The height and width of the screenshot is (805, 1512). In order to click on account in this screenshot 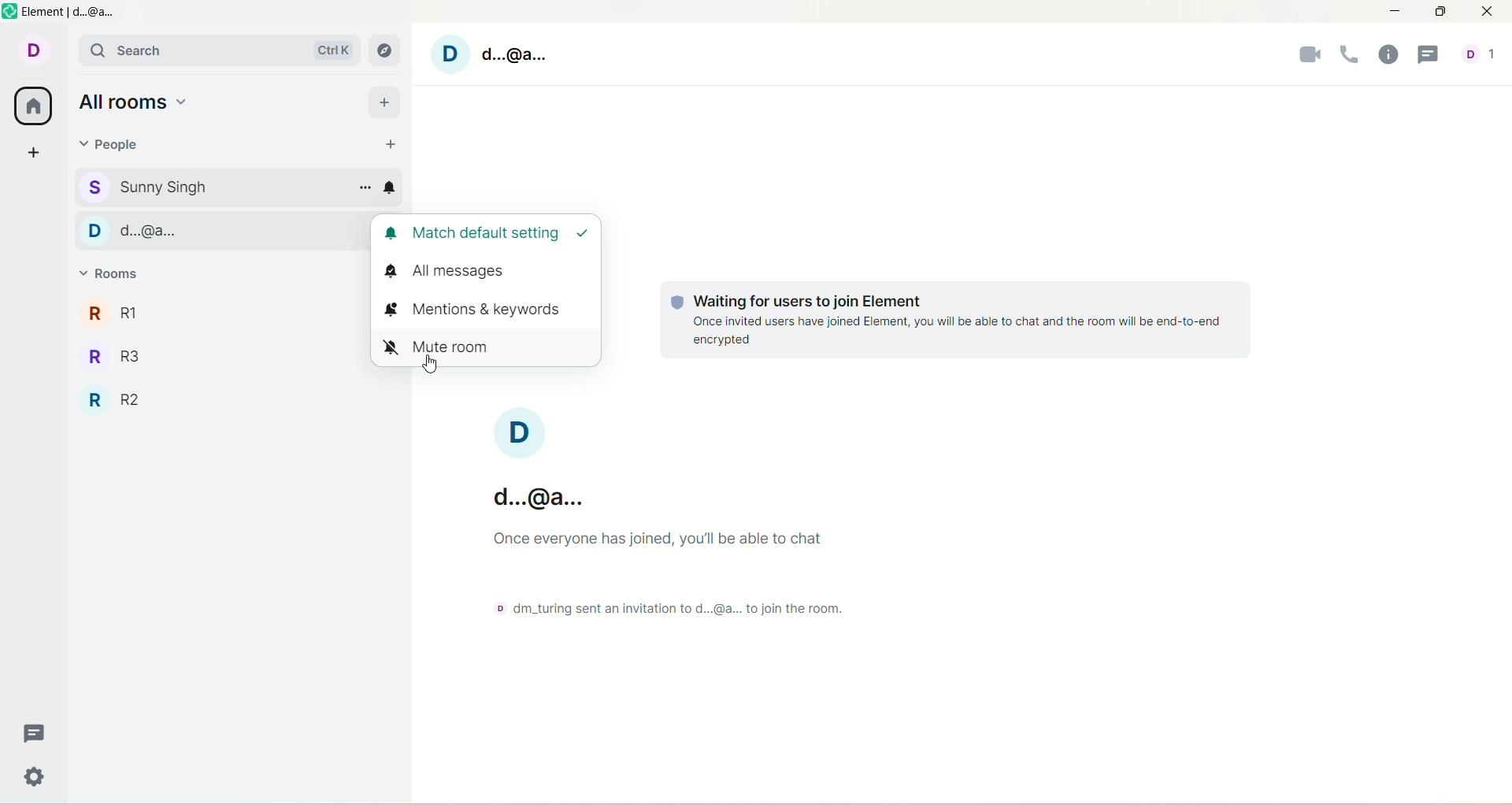, I will do `click(31, 51)`.